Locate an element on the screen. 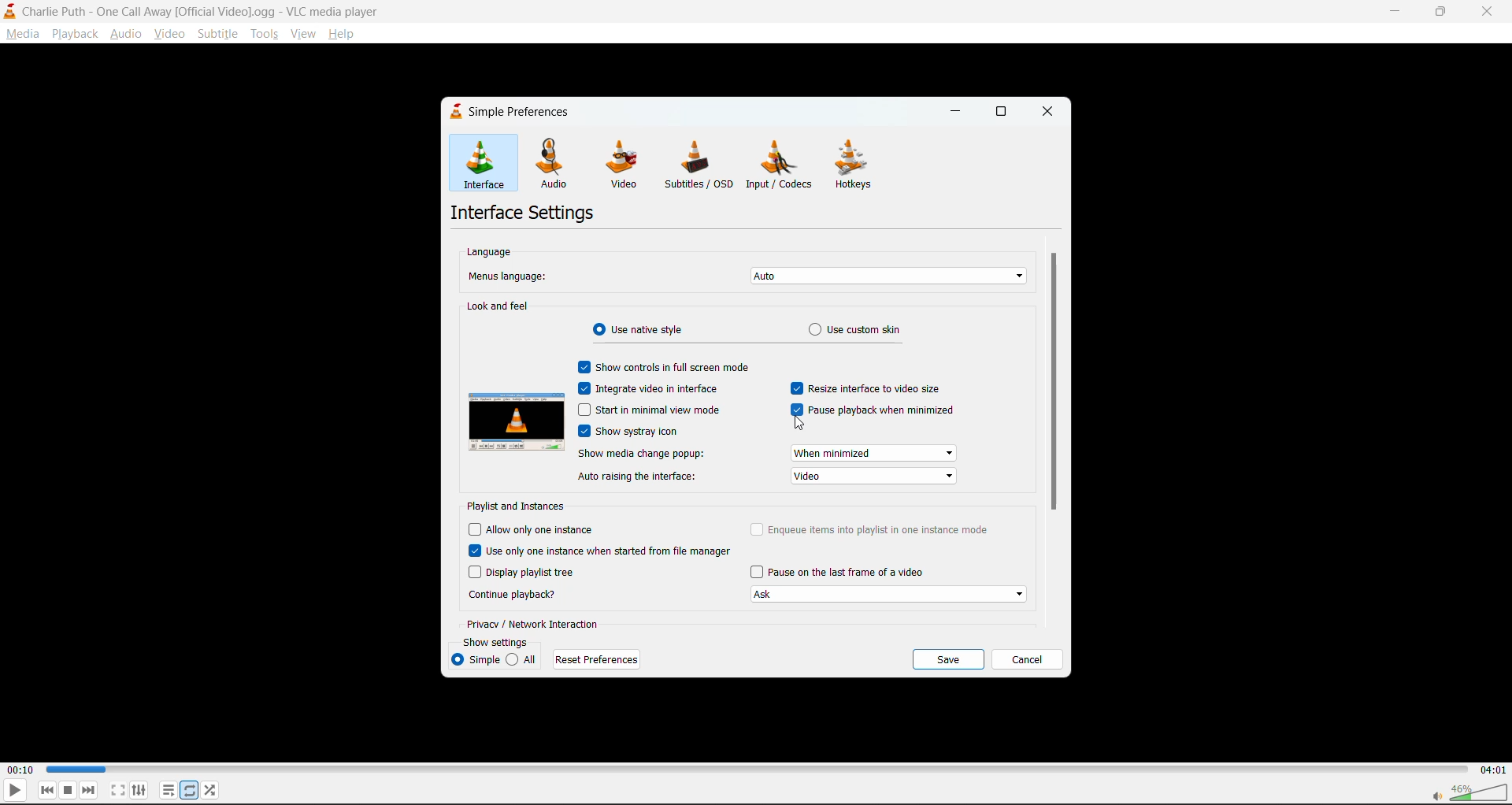 The image size is (1512, 805). media is located at coordinates (20, 35).